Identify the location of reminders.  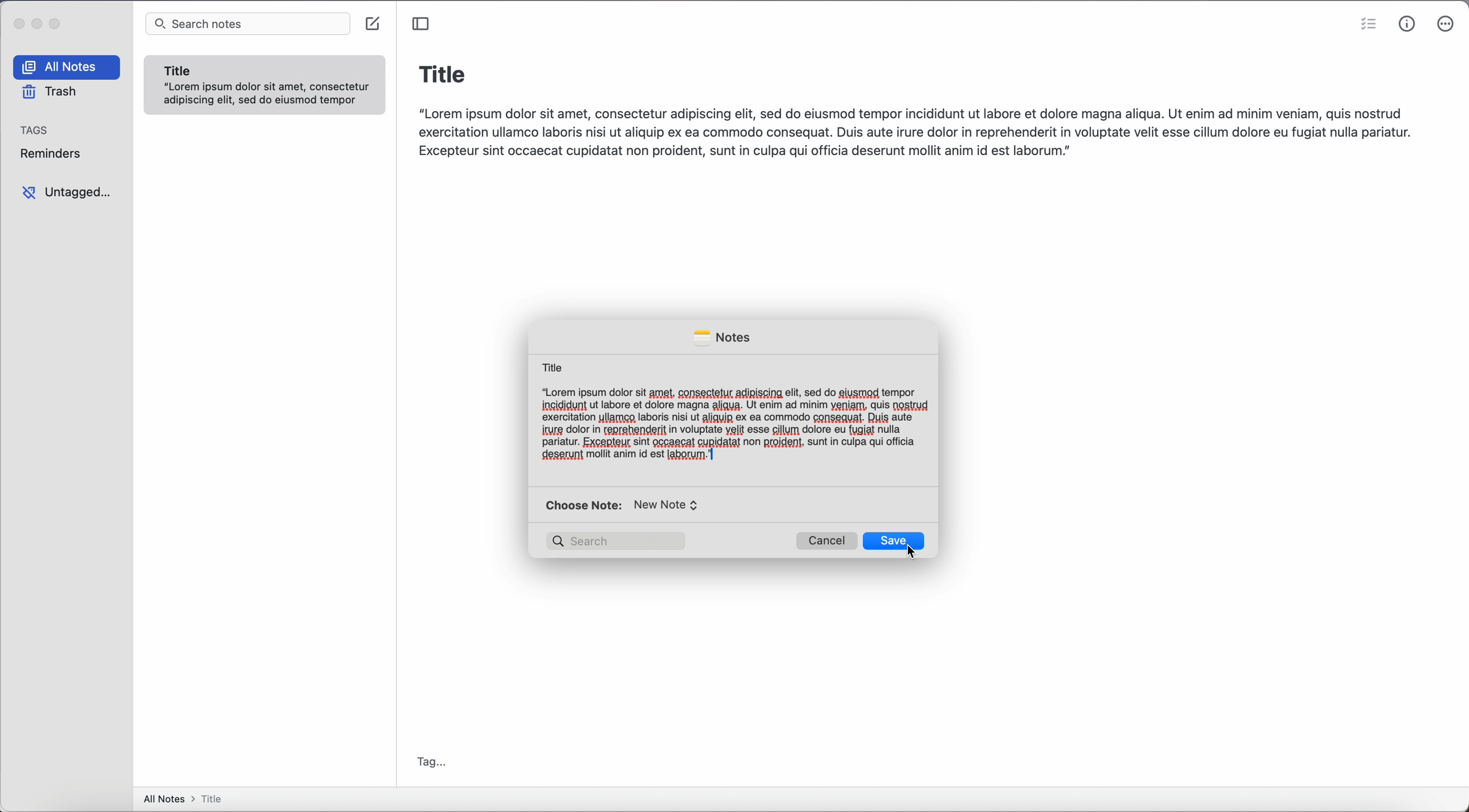
(55, 153).